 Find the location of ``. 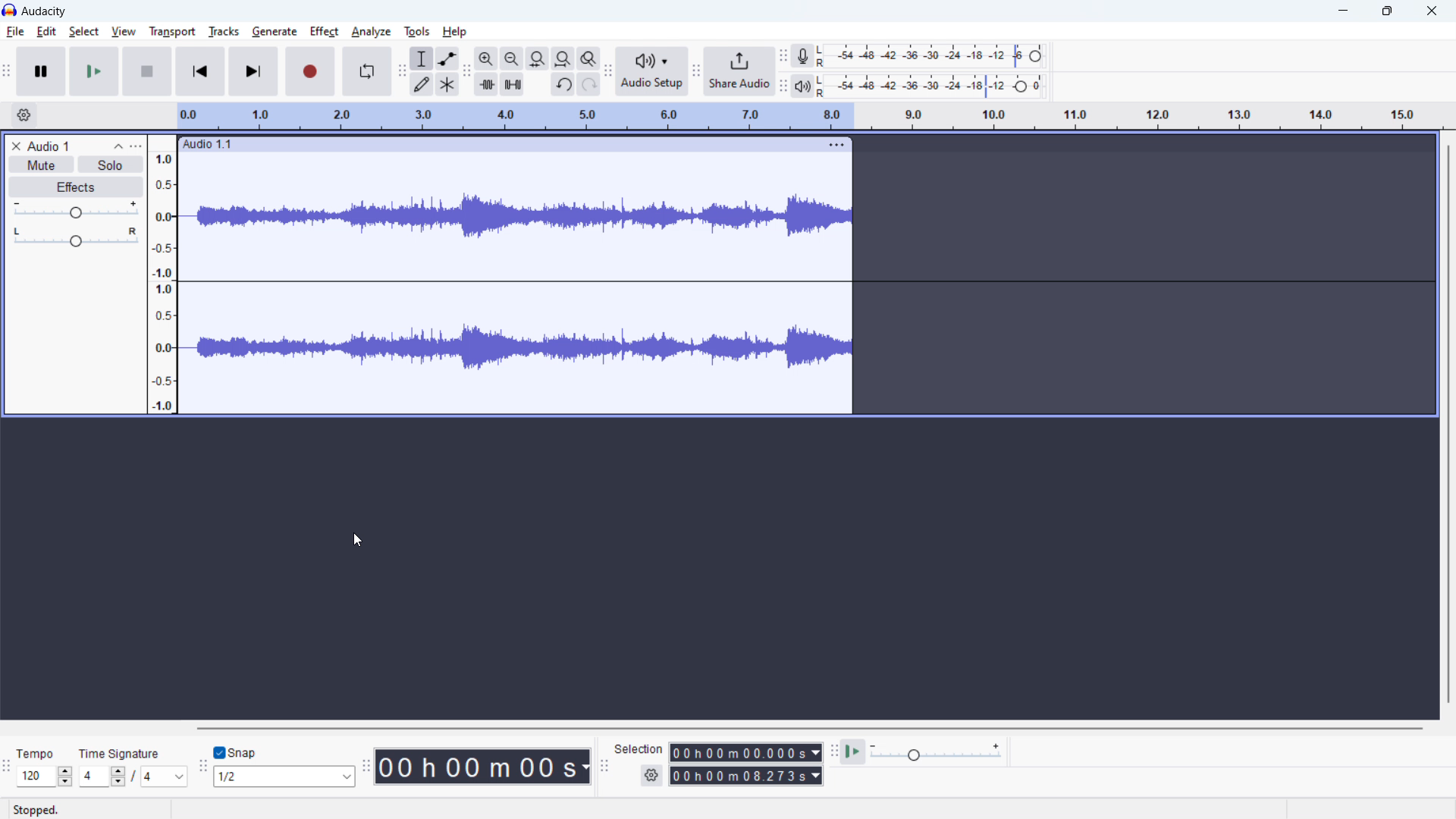

 is located at coordinates (367, 71).